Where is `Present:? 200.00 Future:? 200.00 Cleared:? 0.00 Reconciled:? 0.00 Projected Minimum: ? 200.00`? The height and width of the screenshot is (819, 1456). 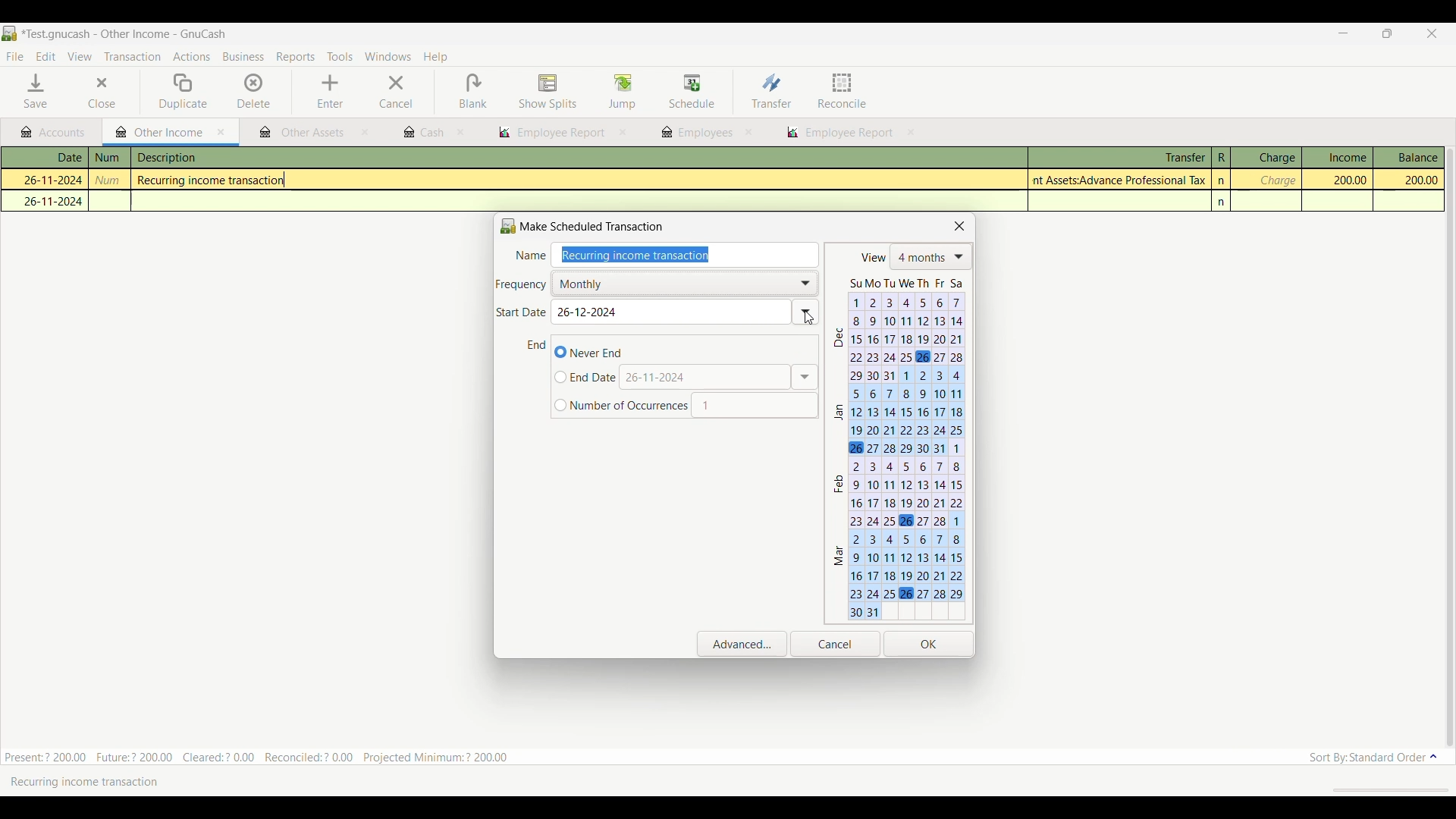
Present:? 200.00 Future:? 200.00 Cleared:? 0.00 Reconciled:? 0.00 Projected Minimum: ? 200.00 is located at coordinates (265, 755).